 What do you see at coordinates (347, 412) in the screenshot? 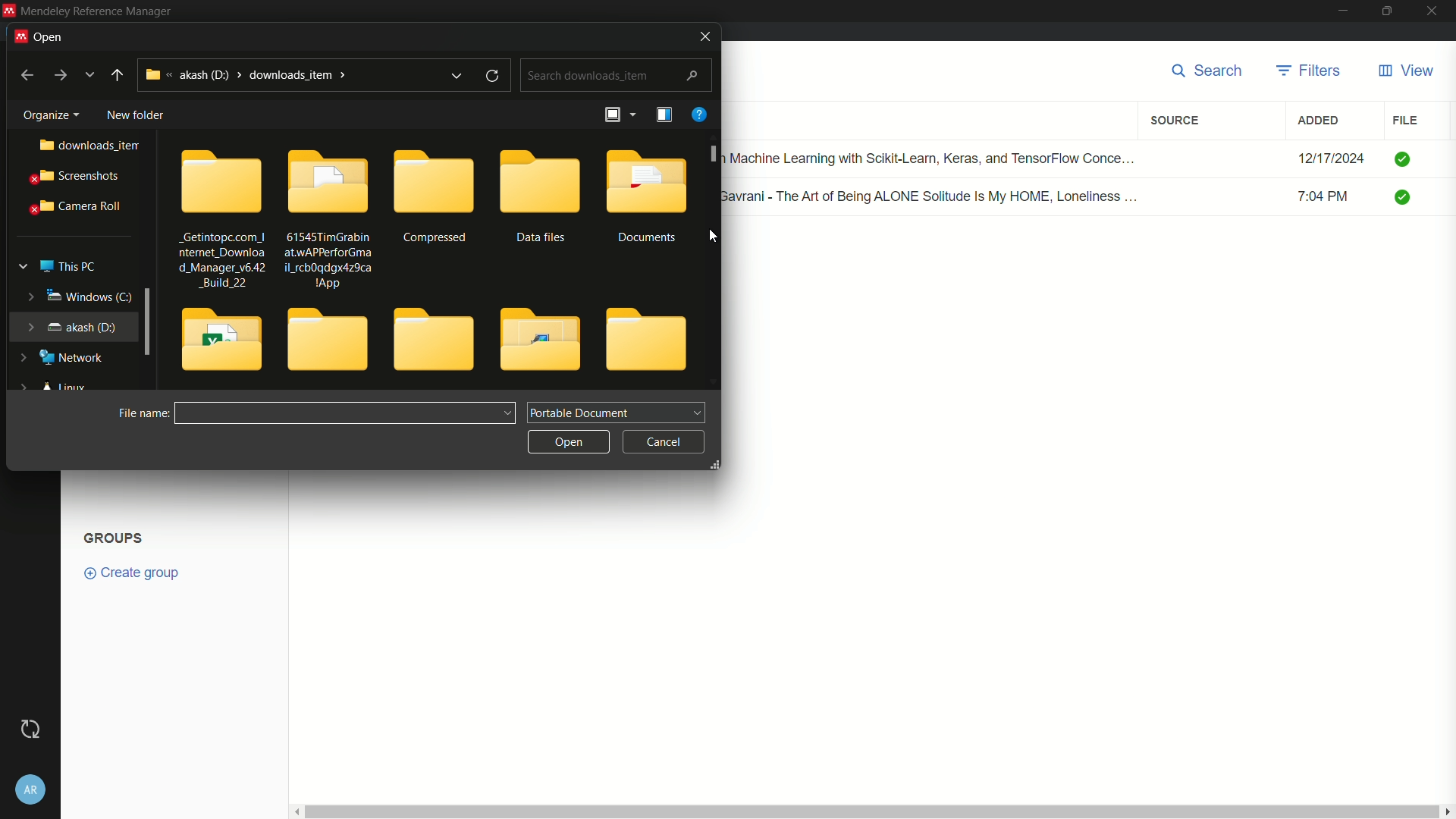
I see `file name: ` at bounding box center [347, 412].